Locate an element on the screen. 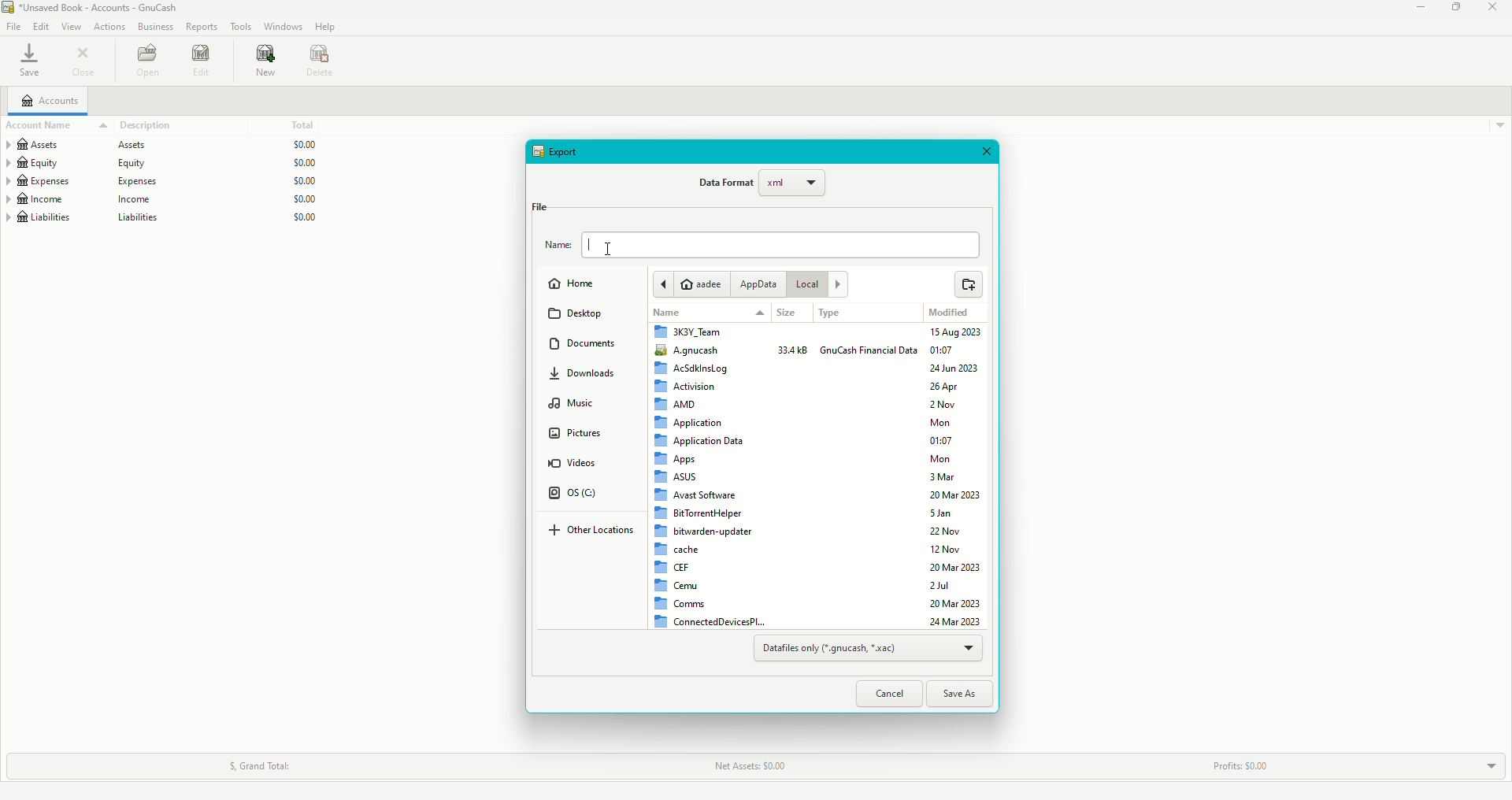 The height and width of the screenshot is (800, 1512). File is located at coordinates (539, 206).